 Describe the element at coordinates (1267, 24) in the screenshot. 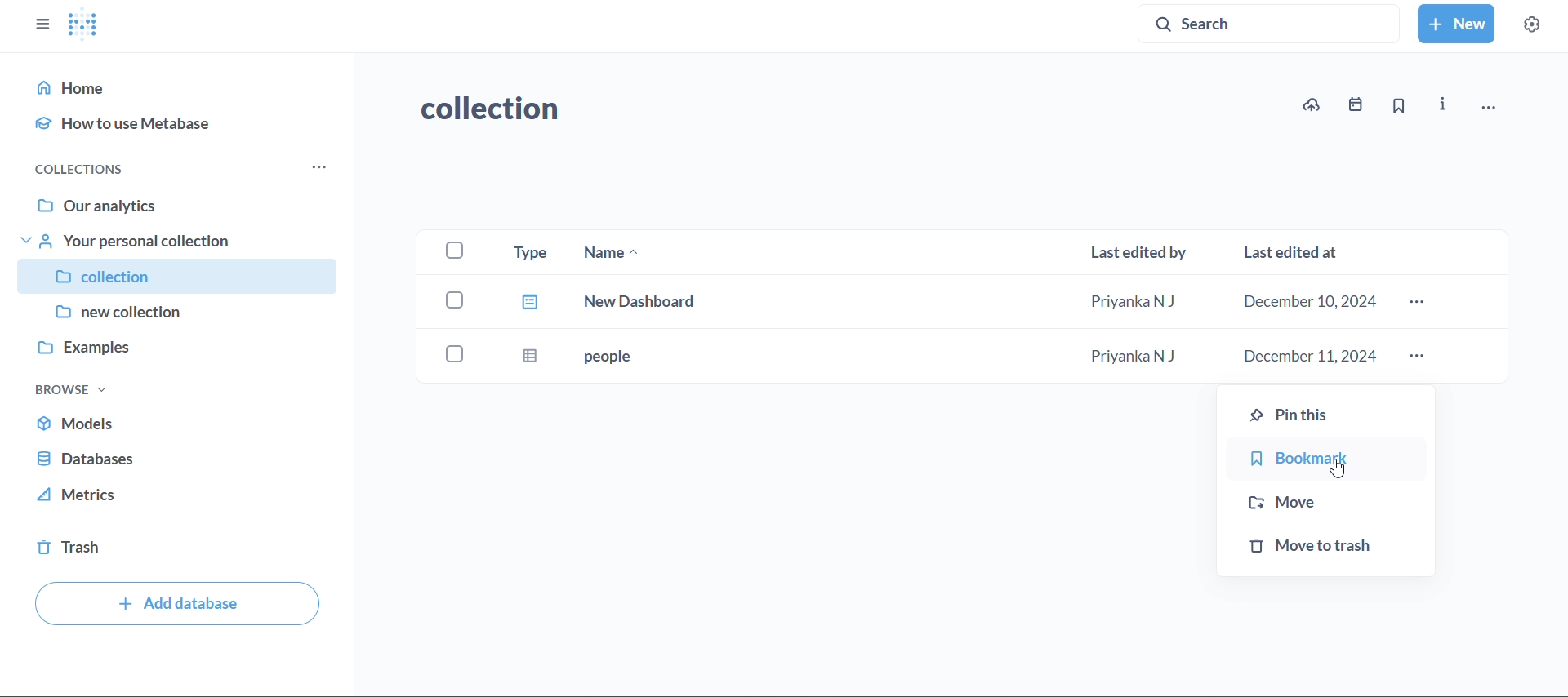

I see `search` at that location.